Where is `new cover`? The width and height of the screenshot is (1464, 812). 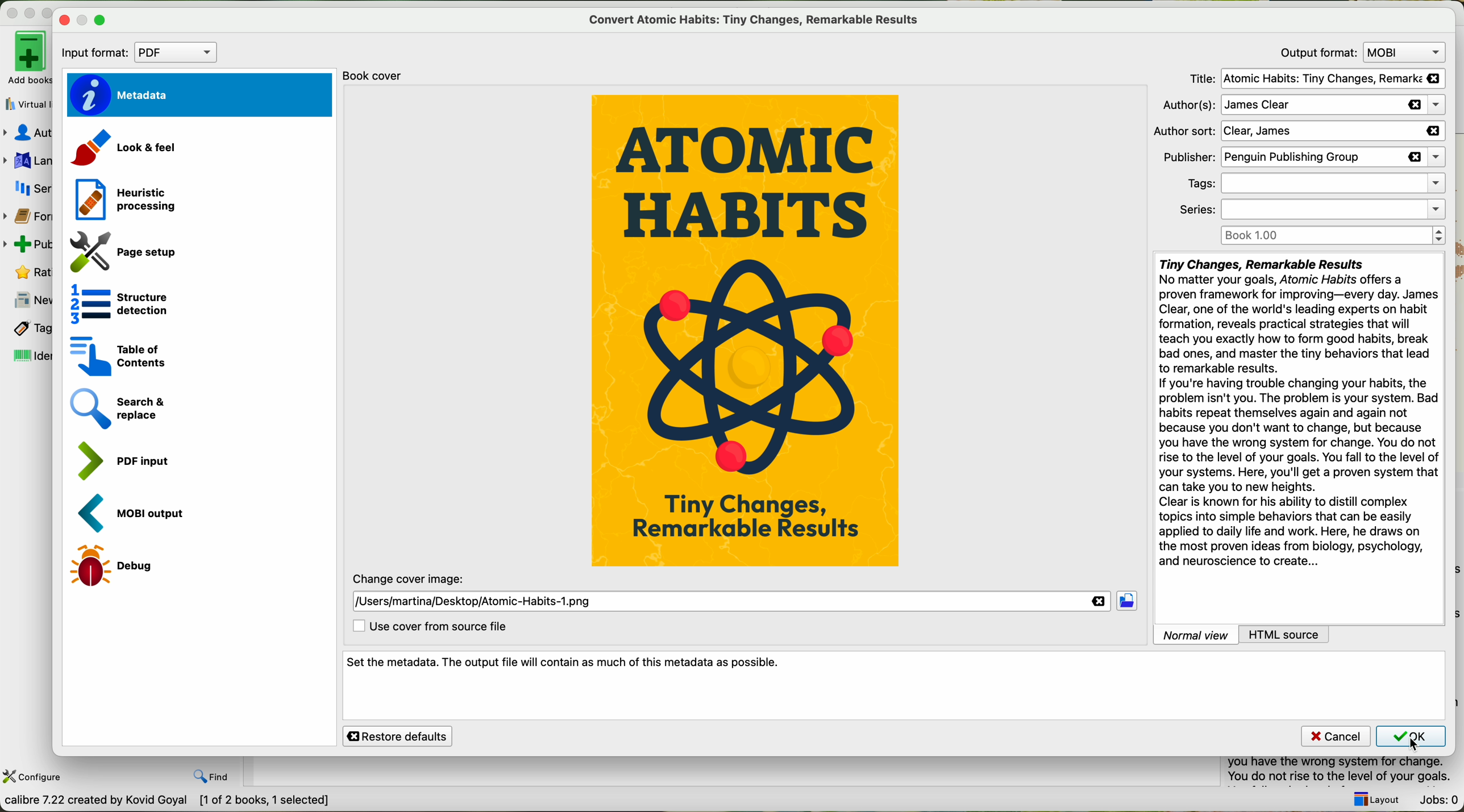
new cover is located at coordinates (746, 332).